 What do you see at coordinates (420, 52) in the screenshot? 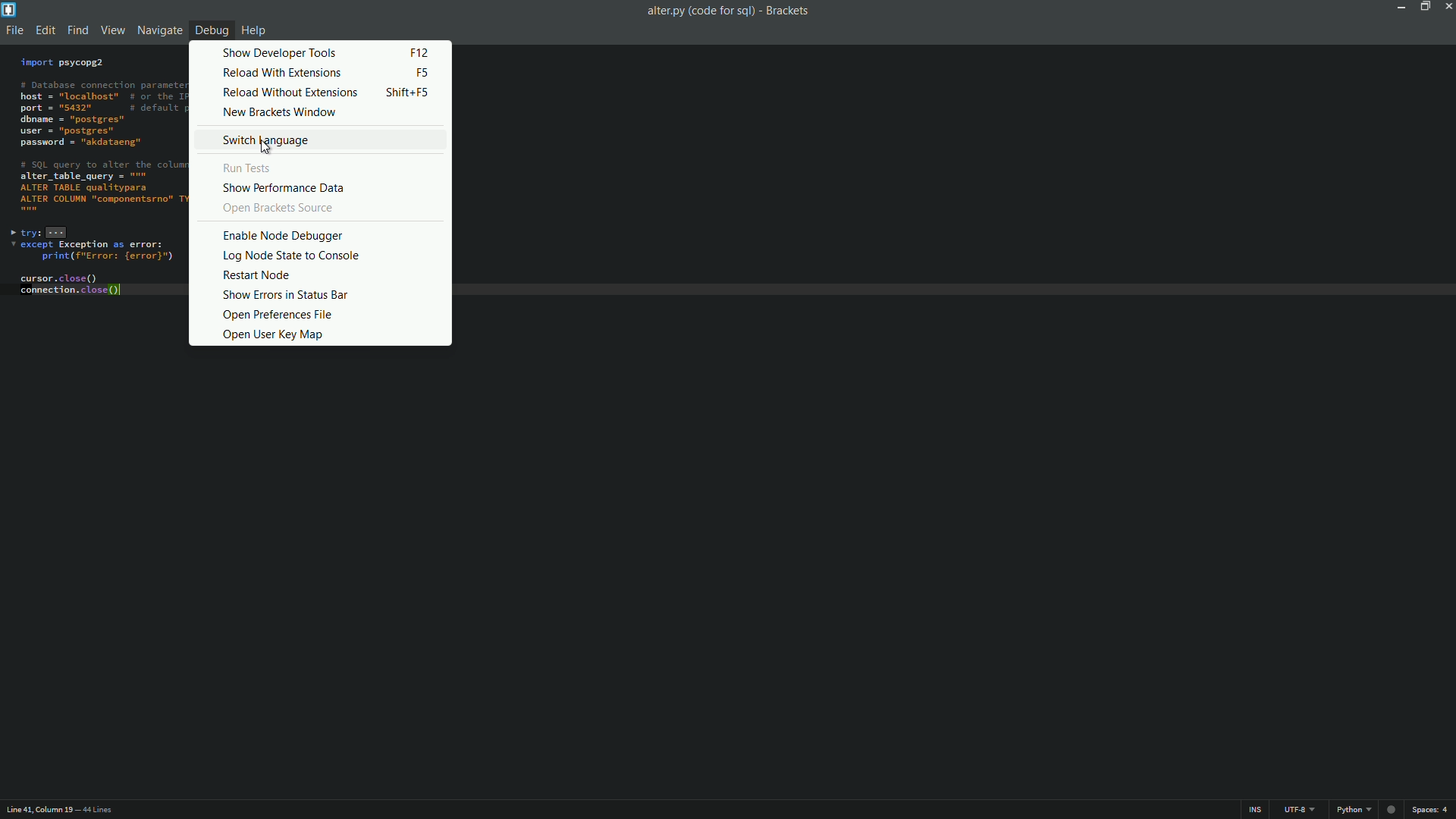
I see `Keyboard shortcut` at bounding box center [420, 52].